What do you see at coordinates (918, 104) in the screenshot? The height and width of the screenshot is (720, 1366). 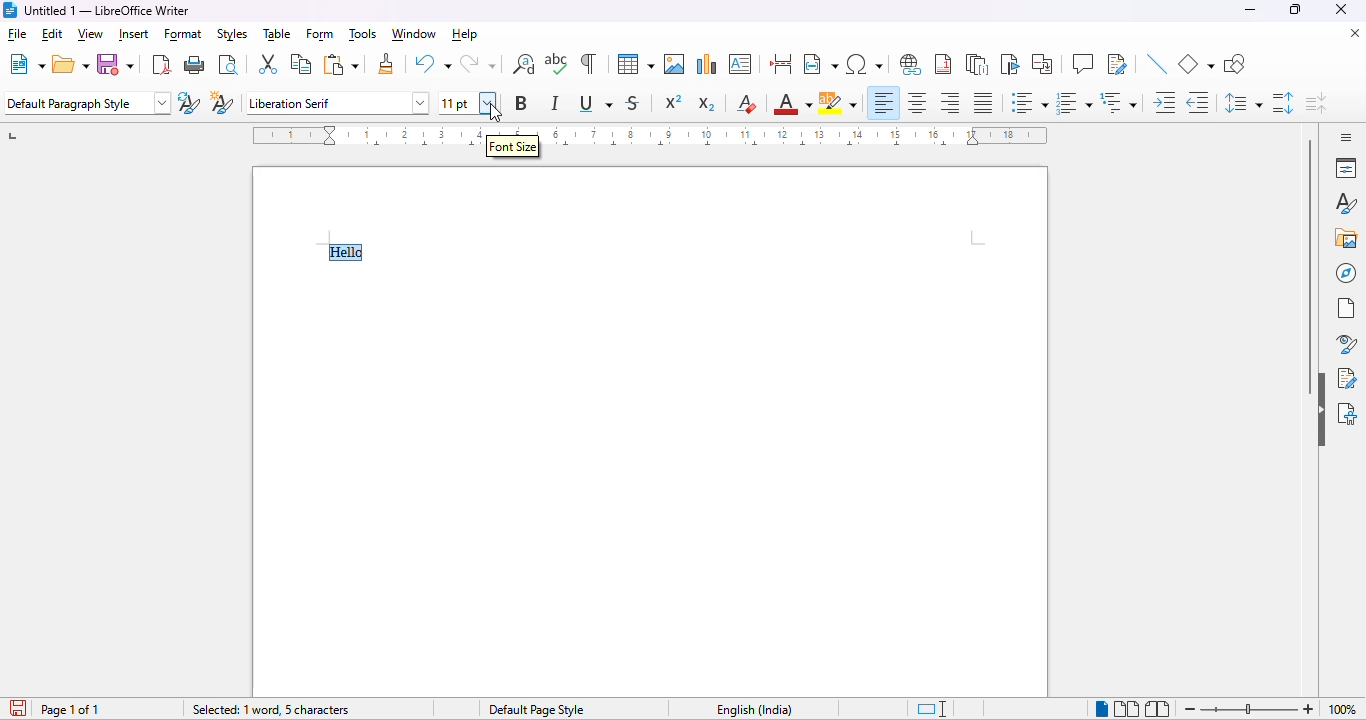 I see `align center` at bounding box center [918, 104].